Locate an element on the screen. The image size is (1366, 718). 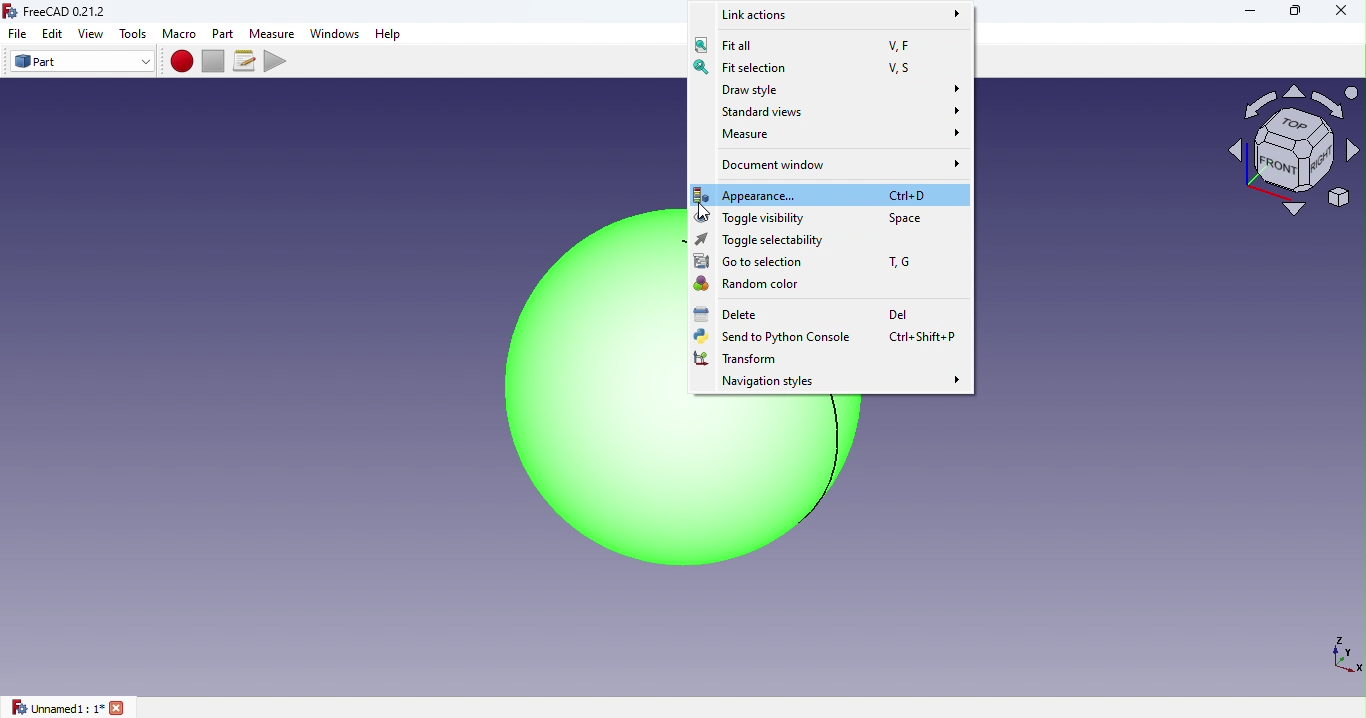
Delete is located at coordinates (816, 315).